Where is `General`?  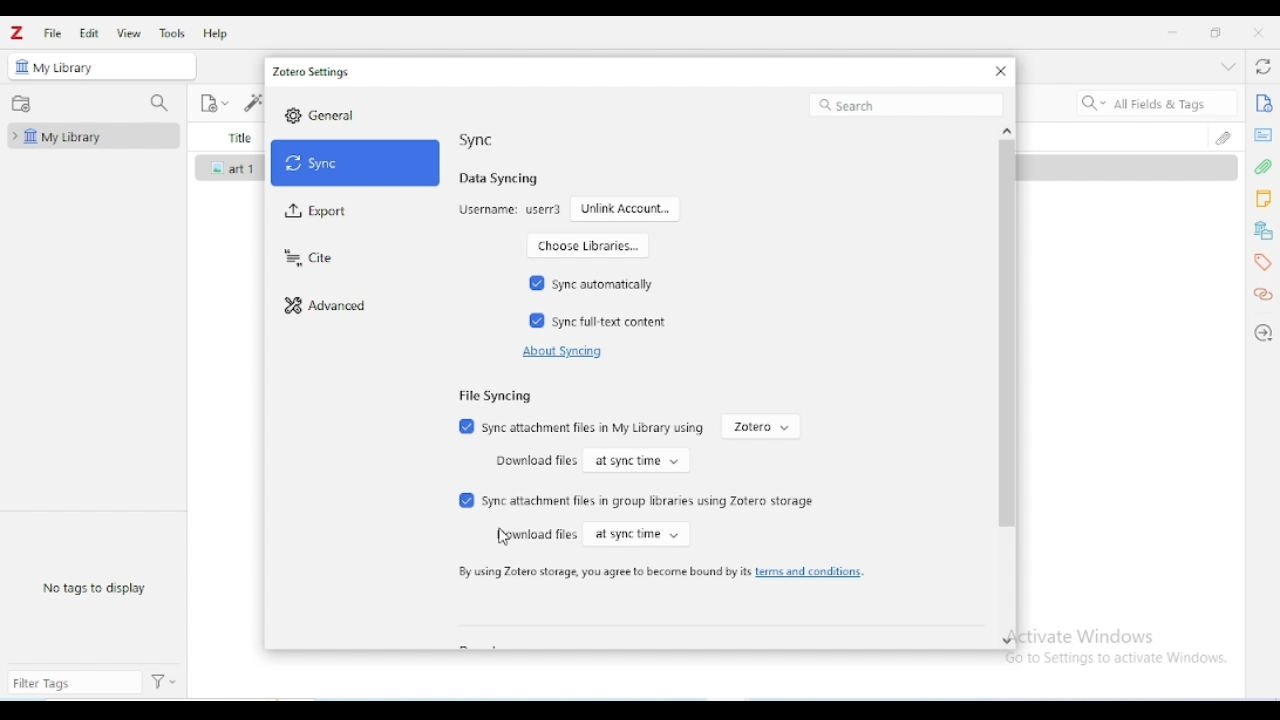
General is located at coordinates (334, 115).